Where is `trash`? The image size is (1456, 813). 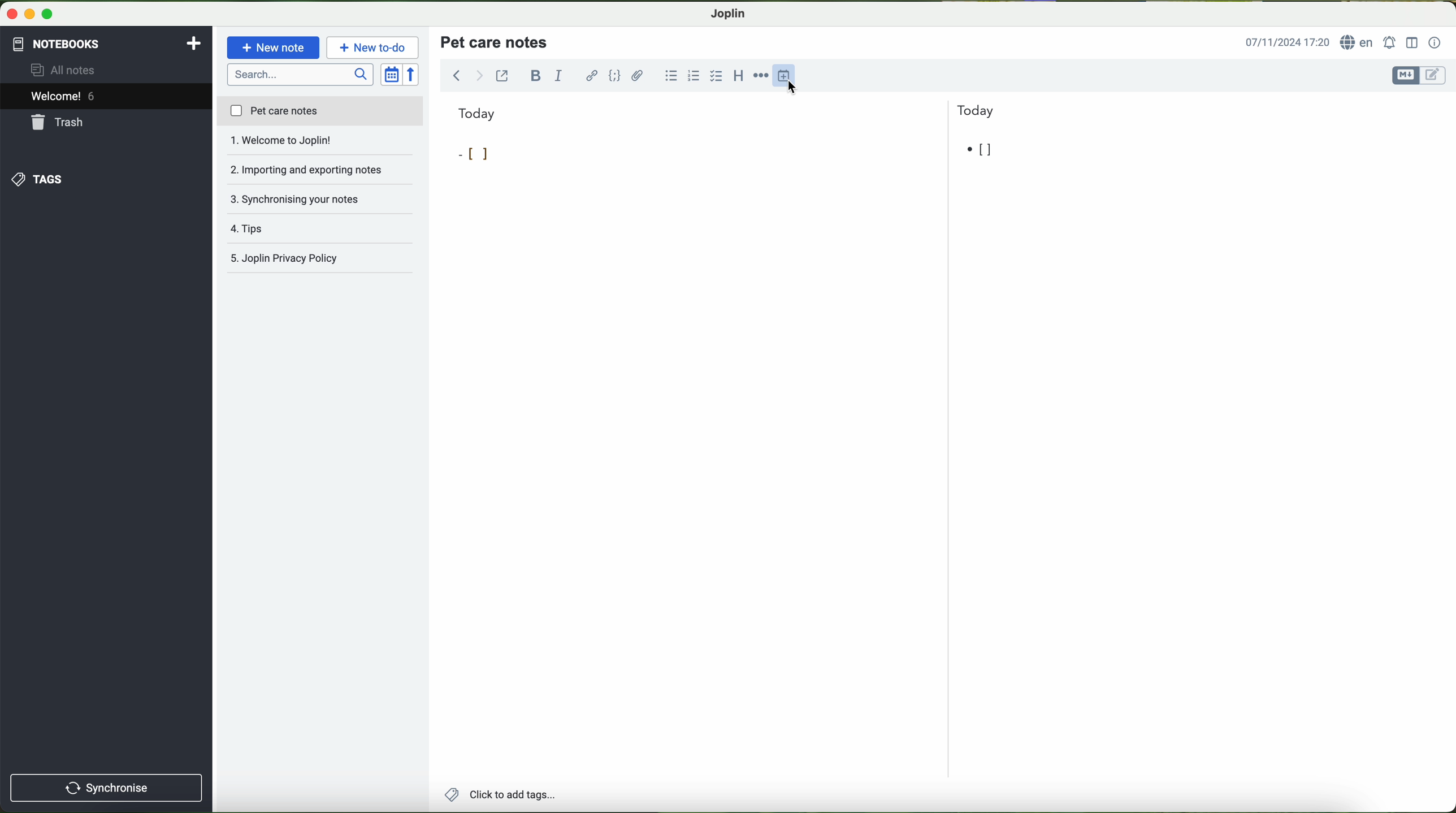 trash is located at coordinates (58, 124).